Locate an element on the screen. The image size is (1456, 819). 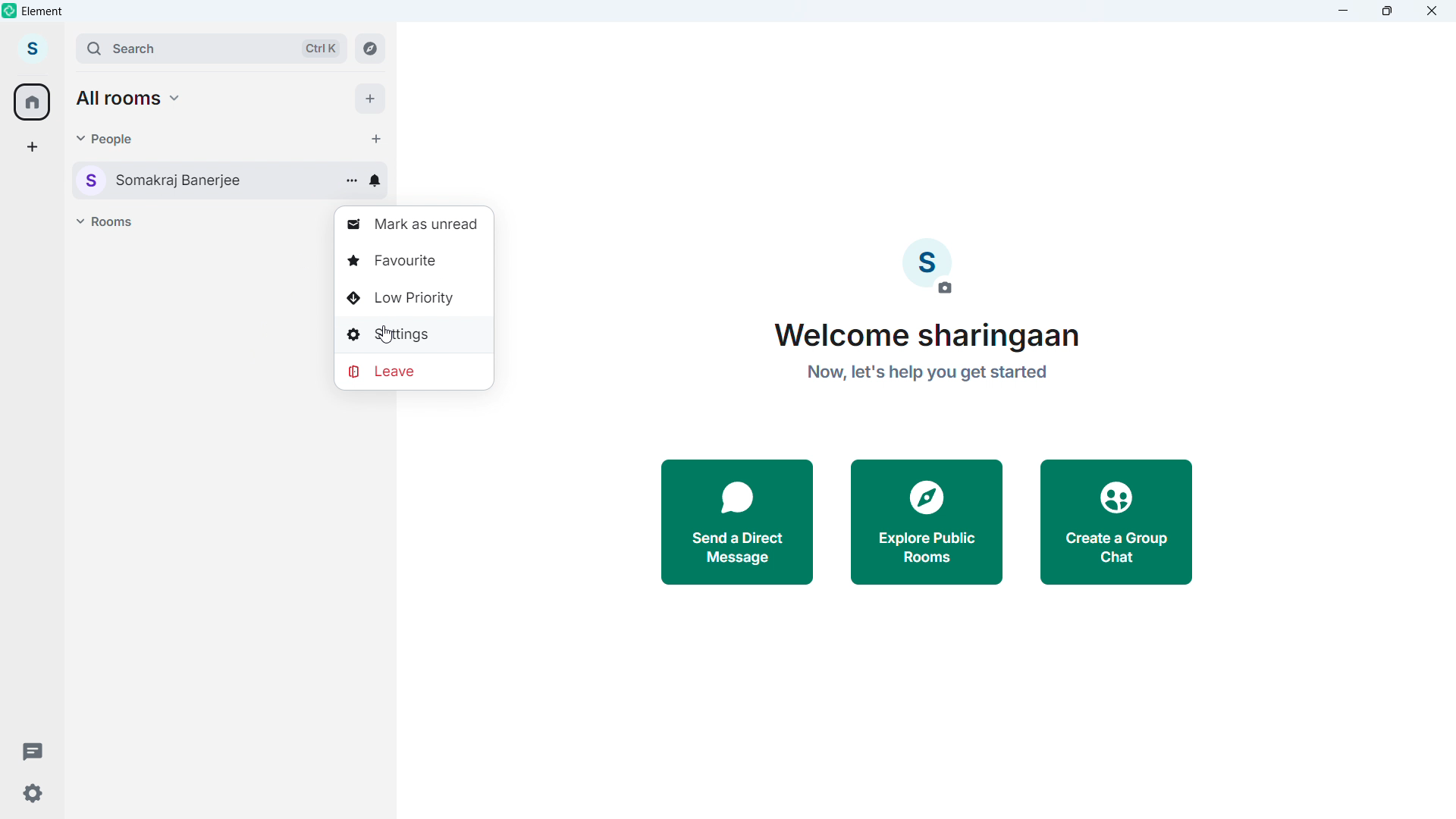
Create a group chat  is located at coordinates (1119, 522).